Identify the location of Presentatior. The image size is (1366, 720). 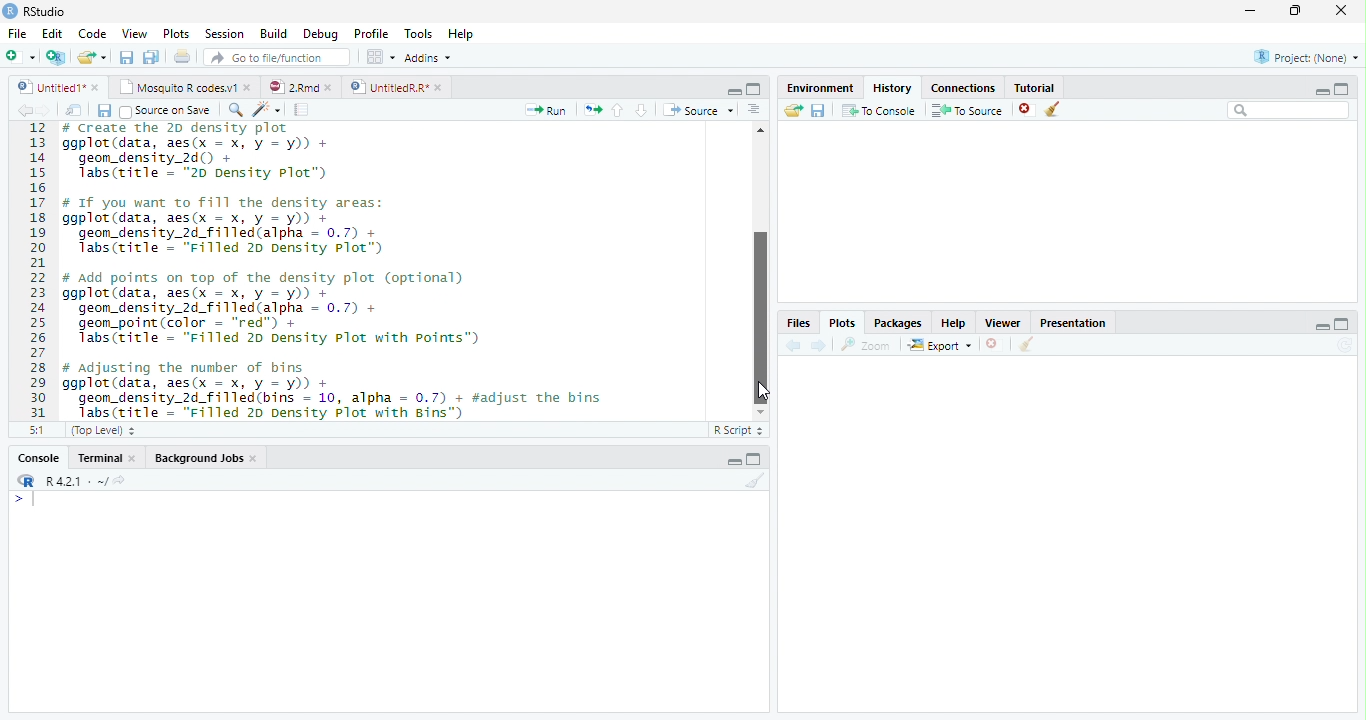
(1072, 324).